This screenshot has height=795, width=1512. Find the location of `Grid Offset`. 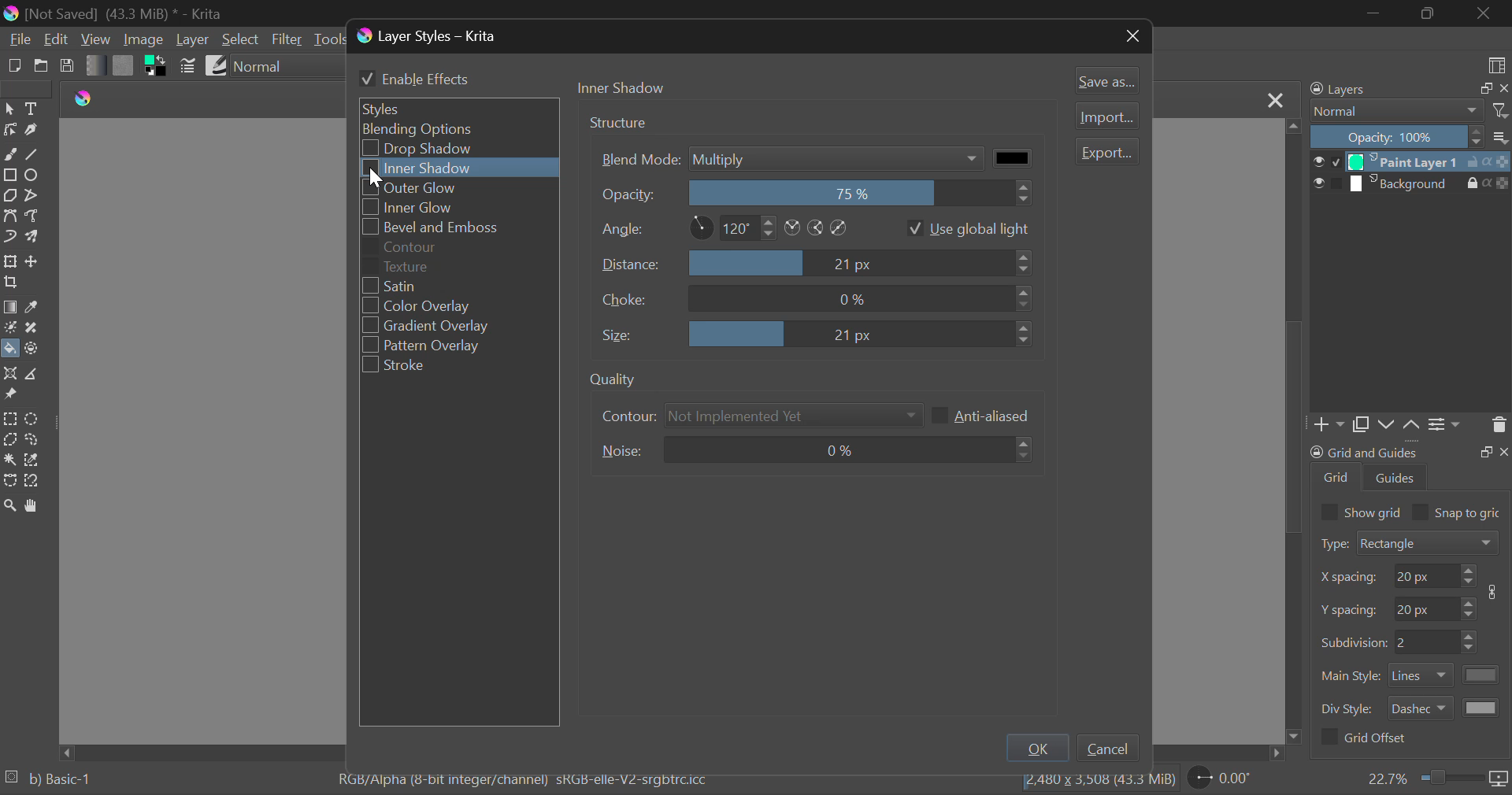

Grid Offset is located at coordinates (1367, 739).